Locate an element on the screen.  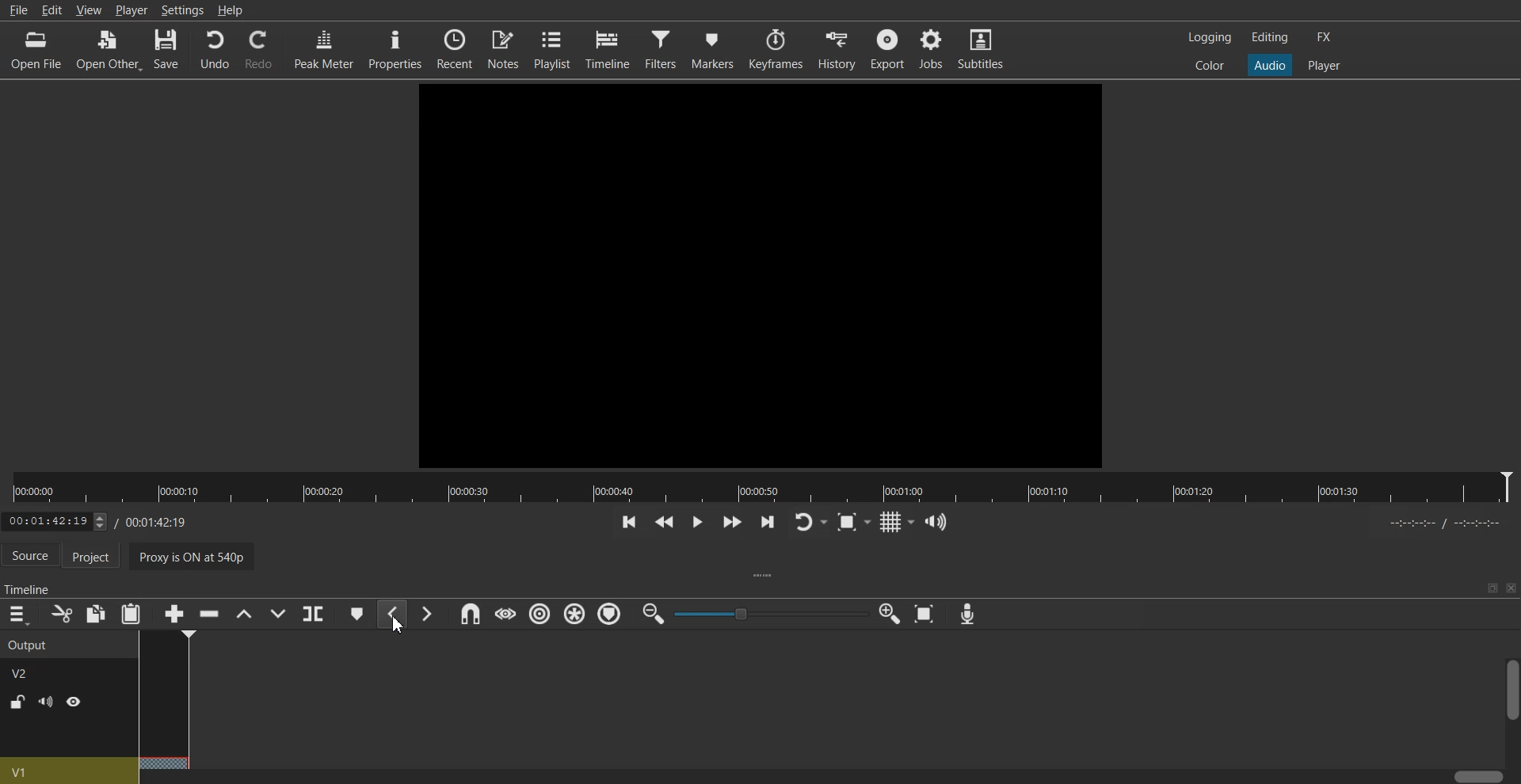
Switch to the Audio layout is located at coordinates (1271, 64).